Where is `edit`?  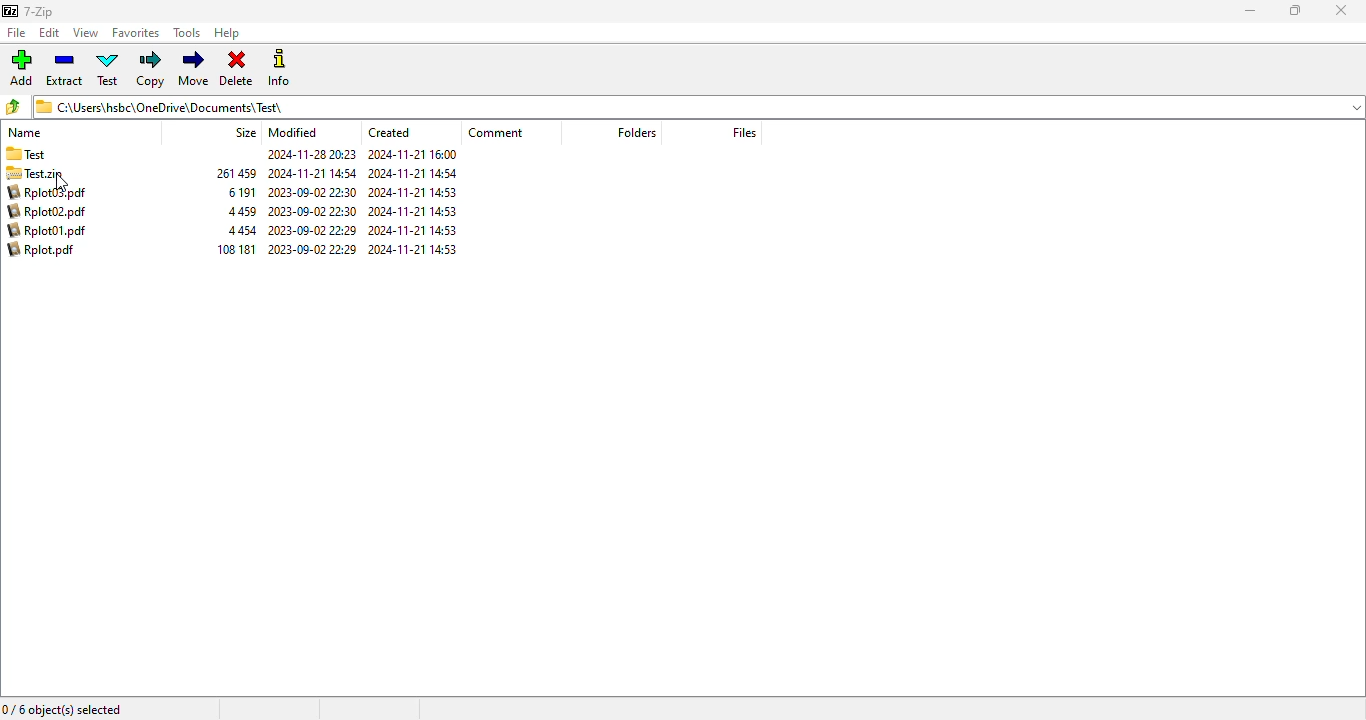 edit is located at coordinates (50, 33).